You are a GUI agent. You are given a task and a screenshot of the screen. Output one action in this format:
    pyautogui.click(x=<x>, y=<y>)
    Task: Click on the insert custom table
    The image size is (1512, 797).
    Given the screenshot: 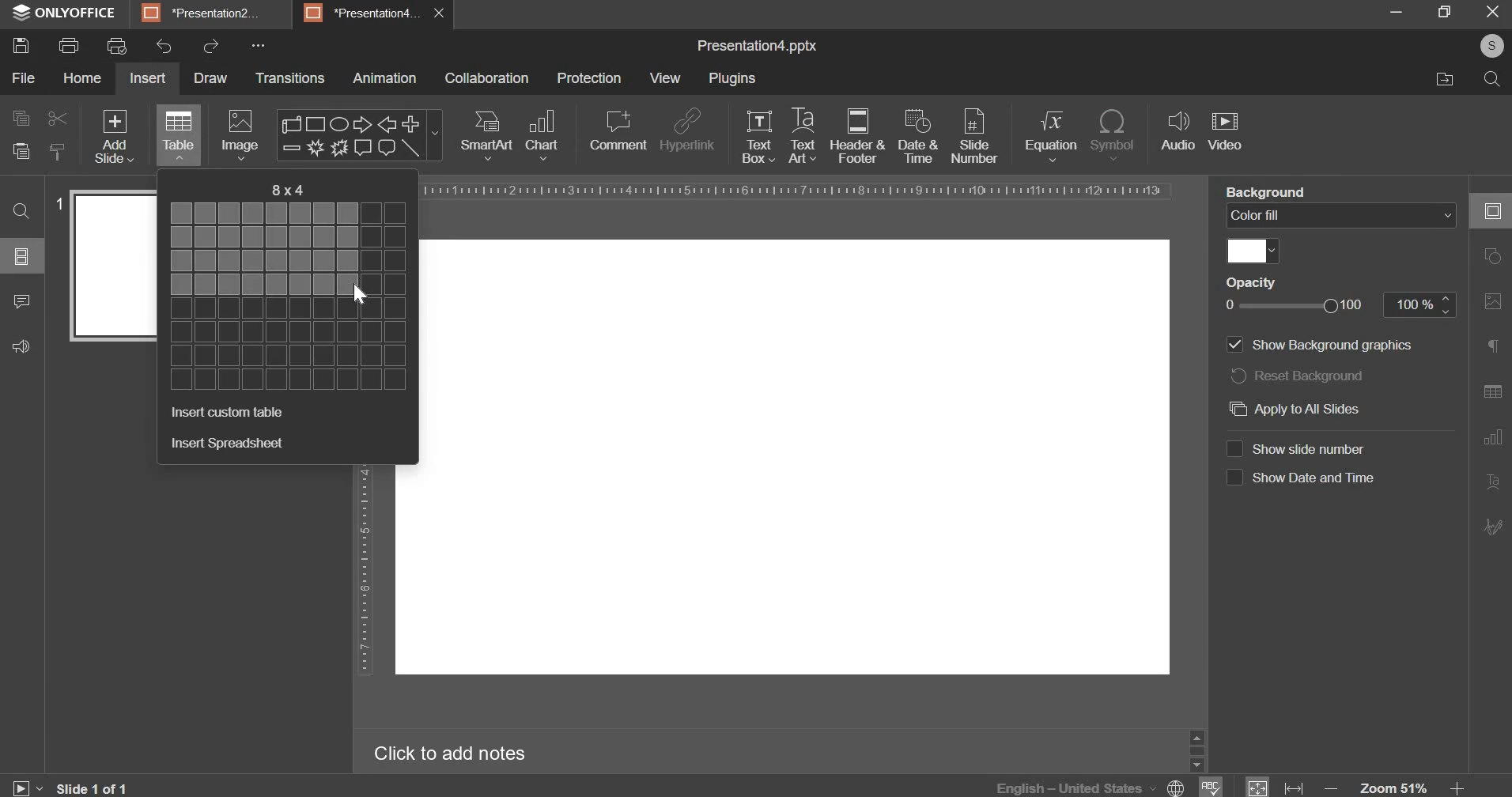 What is the action you would take?
    pyautogui.click(x=229, y=412)
    